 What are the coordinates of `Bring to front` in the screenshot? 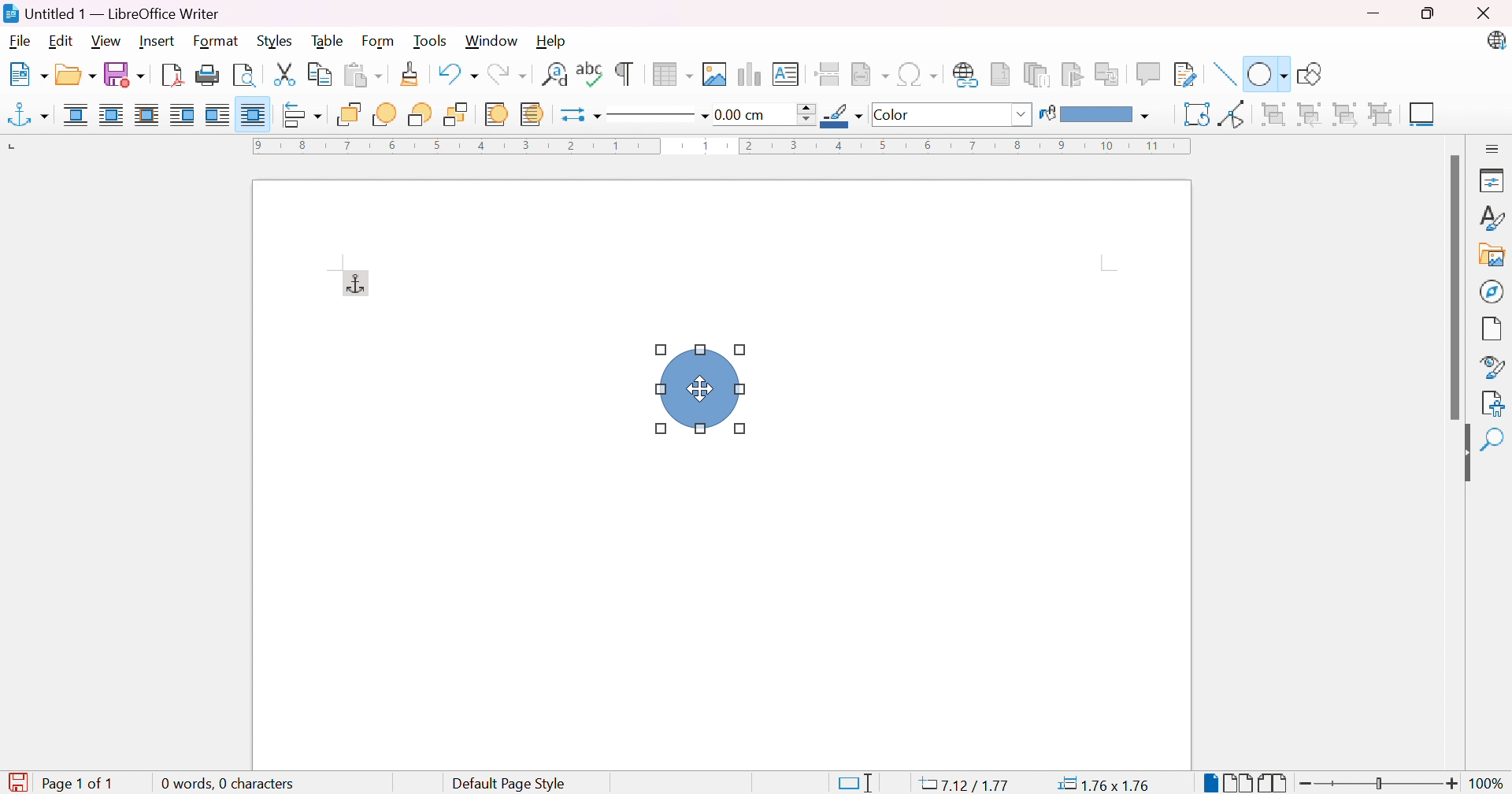 It's located at (349, 114).